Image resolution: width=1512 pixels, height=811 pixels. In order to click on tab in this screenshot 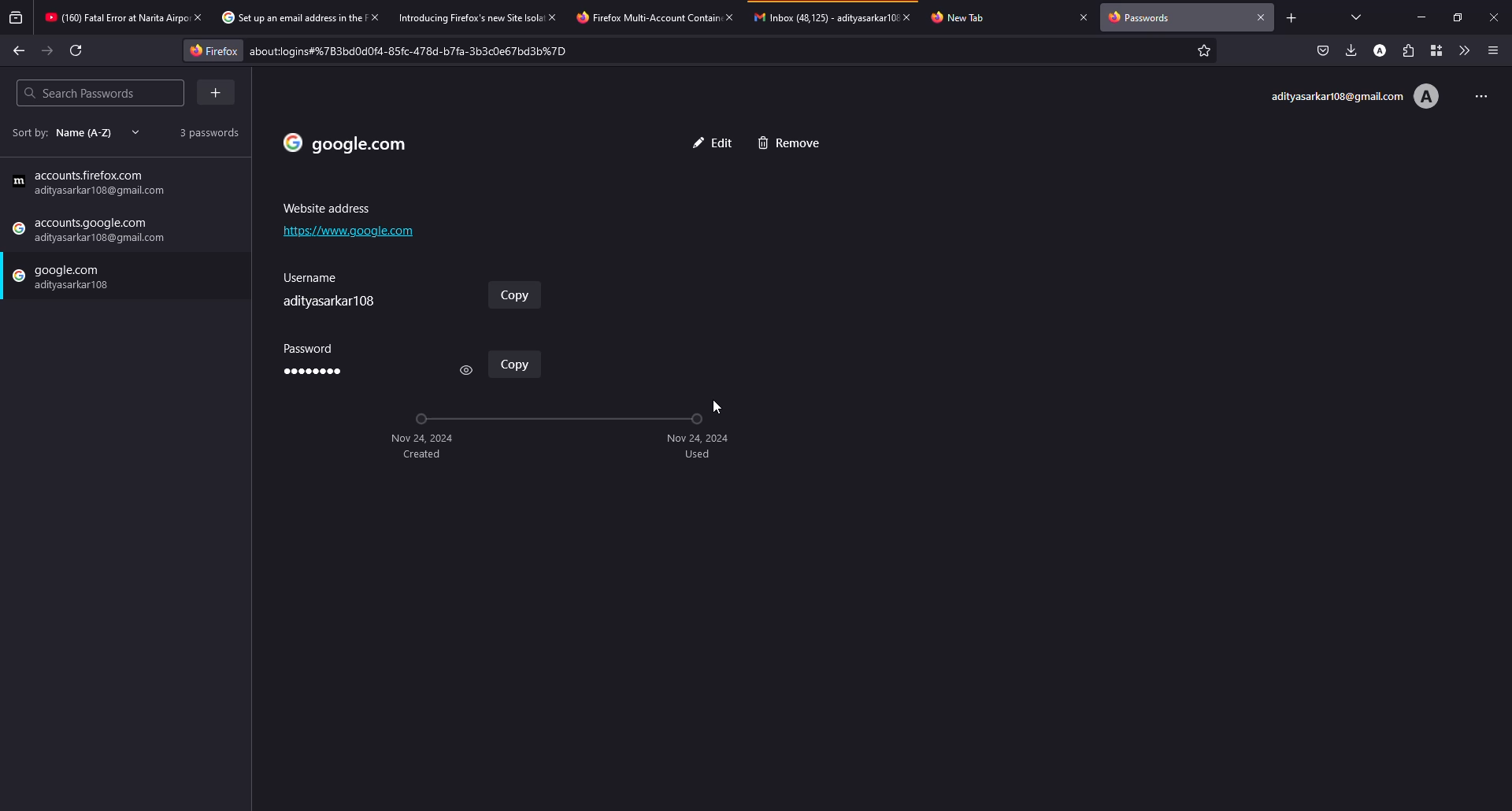, I will do `click(113, 19)`.